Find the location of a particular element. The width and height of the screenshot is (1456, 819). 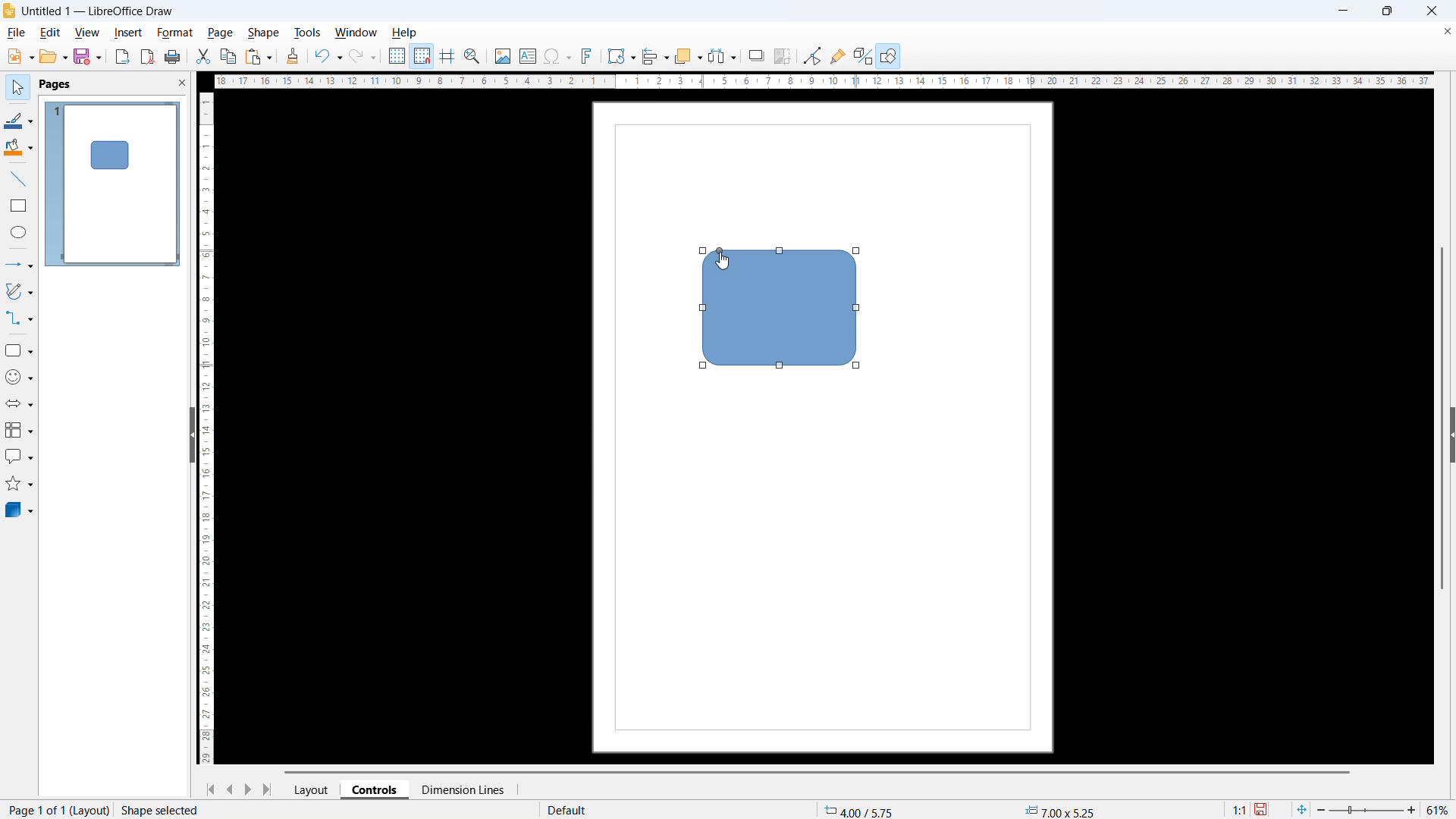

crop image is located at coordinates (782, 57).